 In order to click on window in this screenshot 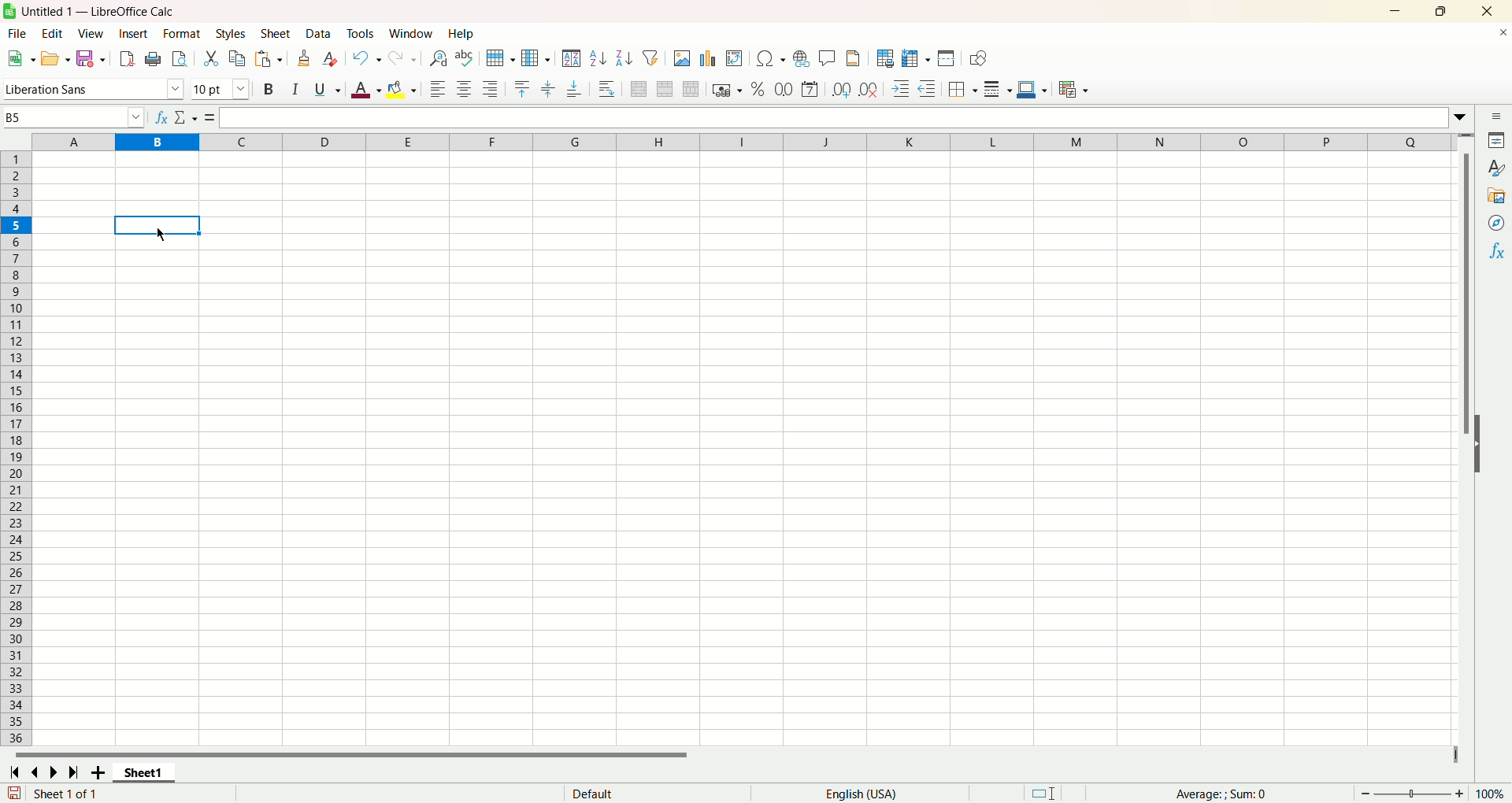, I will do `click(409, 34)`.